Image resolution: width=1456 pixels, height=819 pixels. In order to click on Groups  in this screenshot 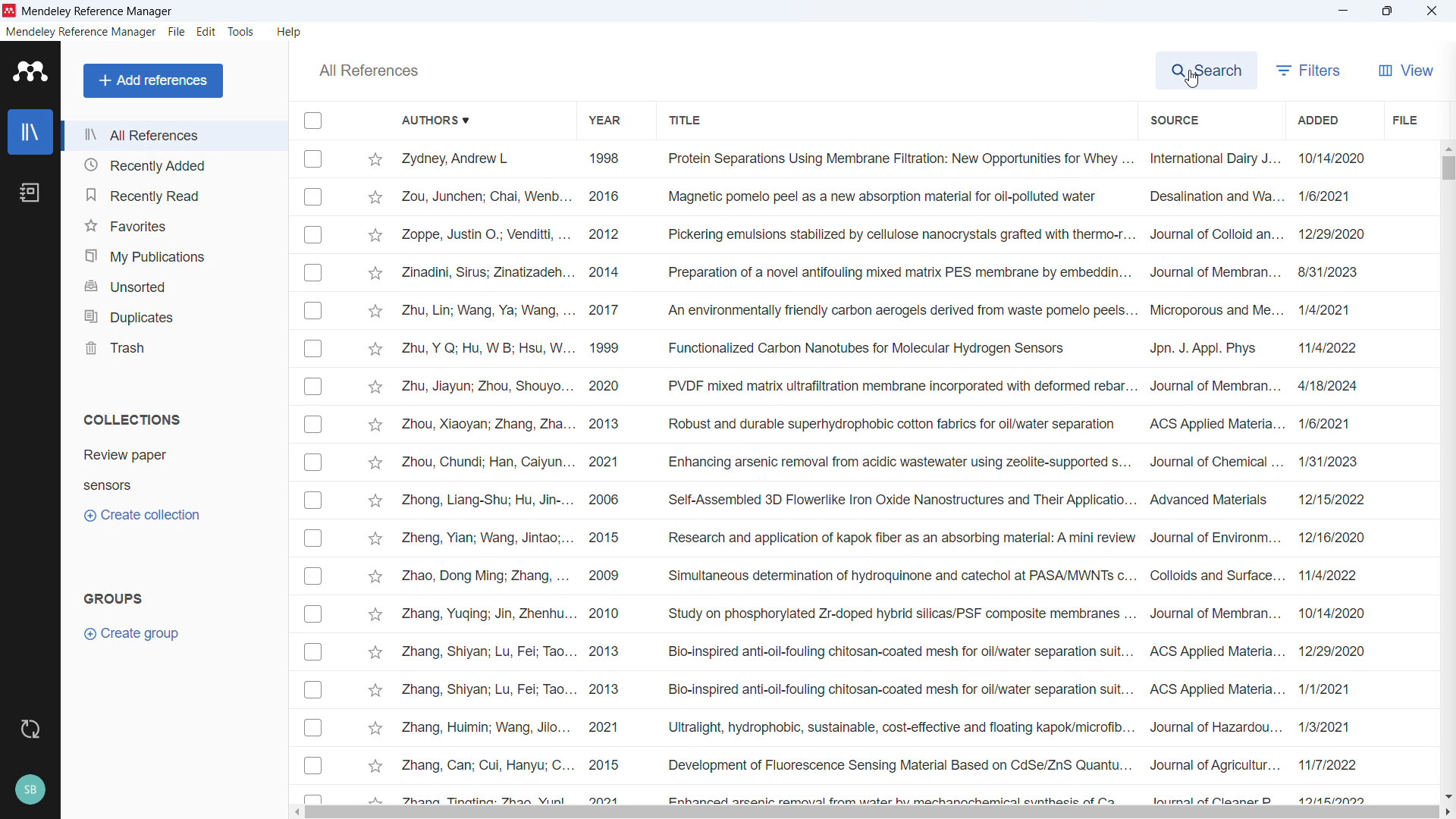, I will do `click(114, 598)`.